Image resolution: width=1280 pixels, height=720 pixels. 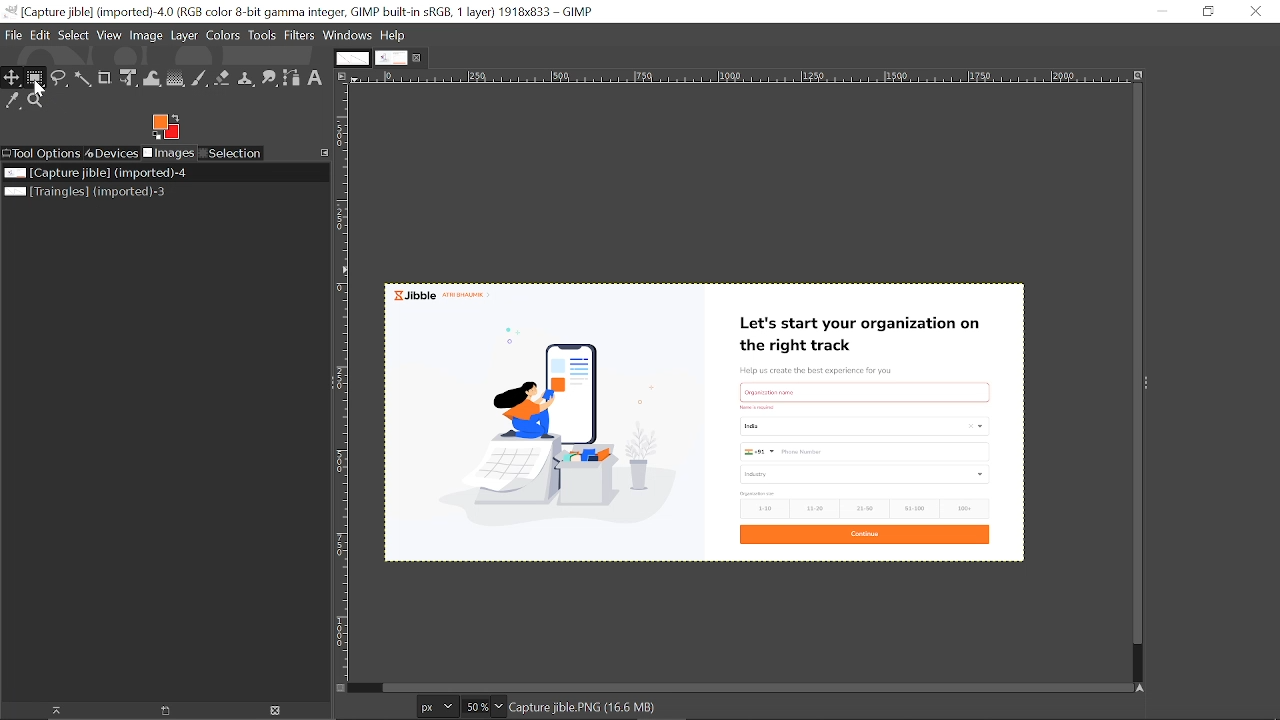 I want to click on Windows, so click(x=347, y=35).